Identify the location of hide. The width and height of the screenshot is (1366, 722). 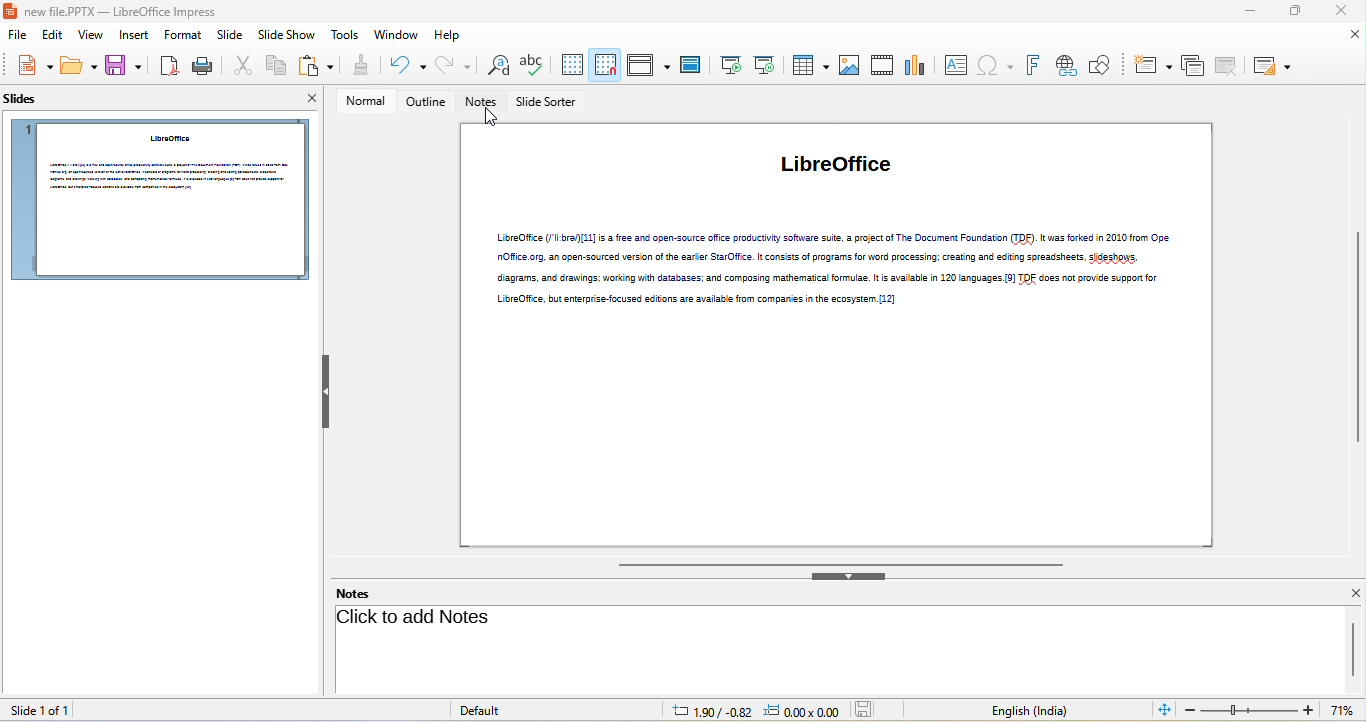
(851, 575).